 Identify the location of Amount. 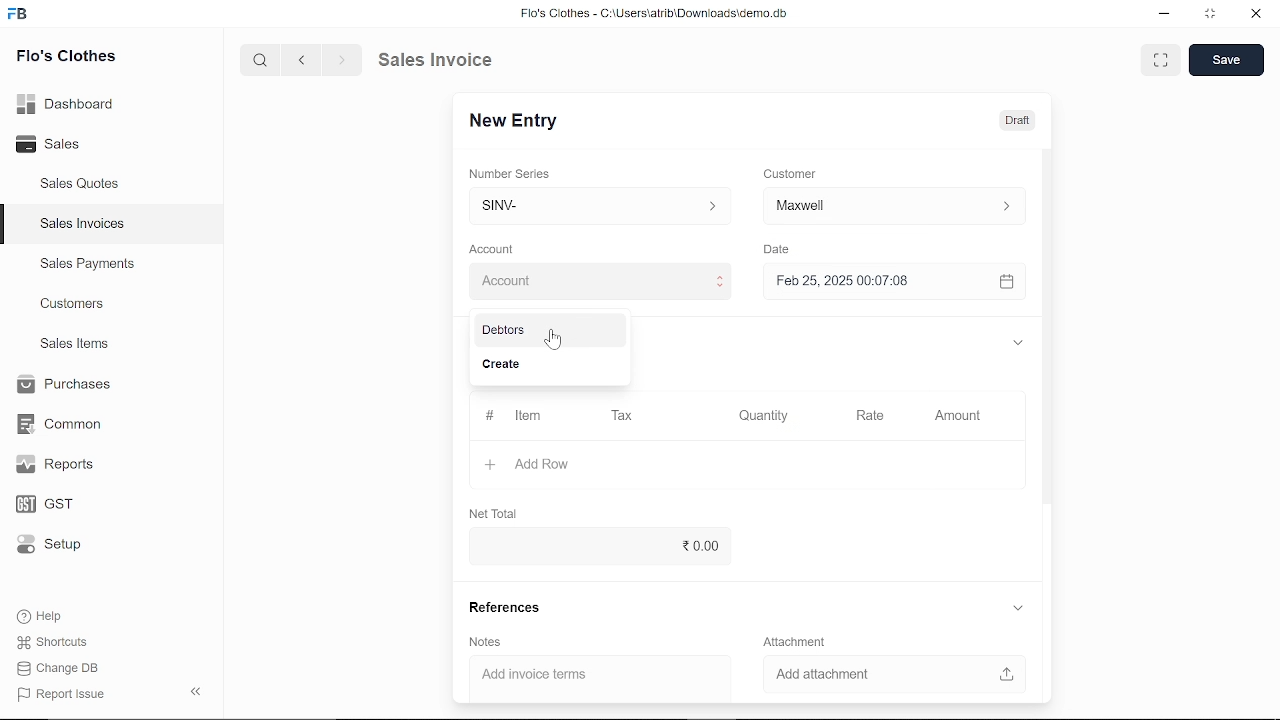
(957, 417).